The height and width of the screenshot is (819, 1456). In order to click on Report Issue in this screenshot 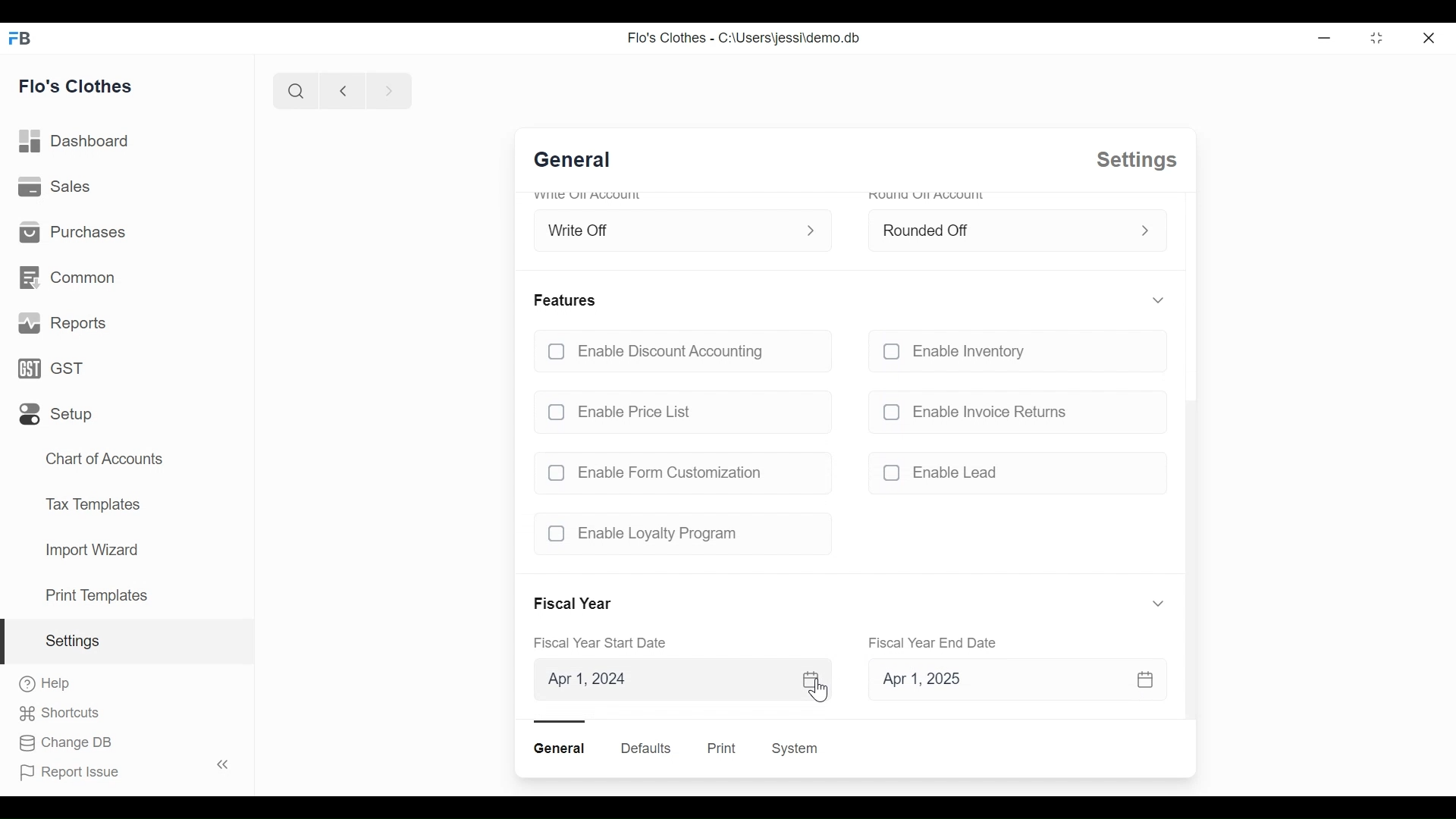, I will do `click(121, 769)`.